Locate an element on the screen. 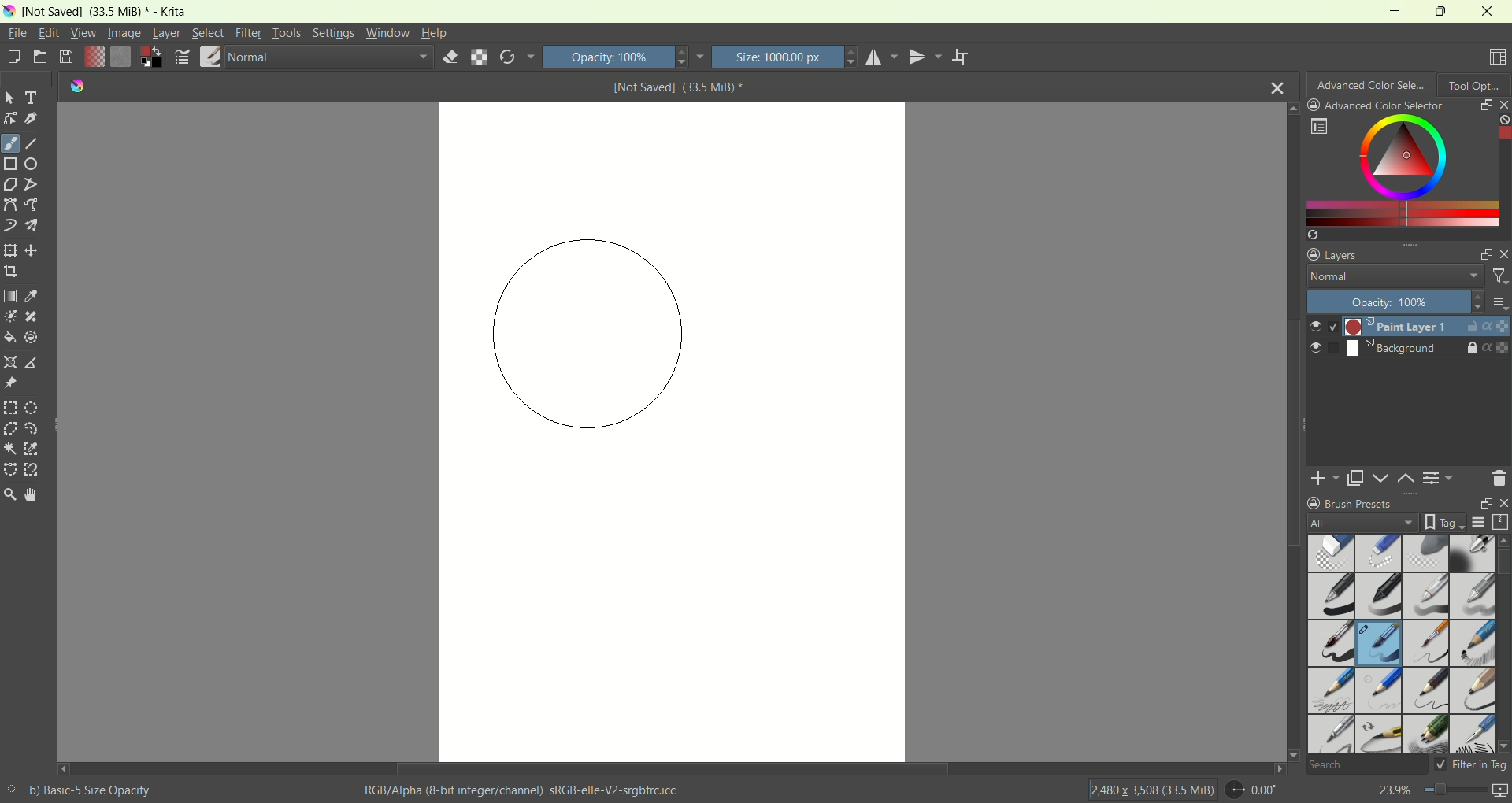 Image resolution: width=1512 pixels, height=803 pixels. advanced color selector is located at coordinates (1376, 105).